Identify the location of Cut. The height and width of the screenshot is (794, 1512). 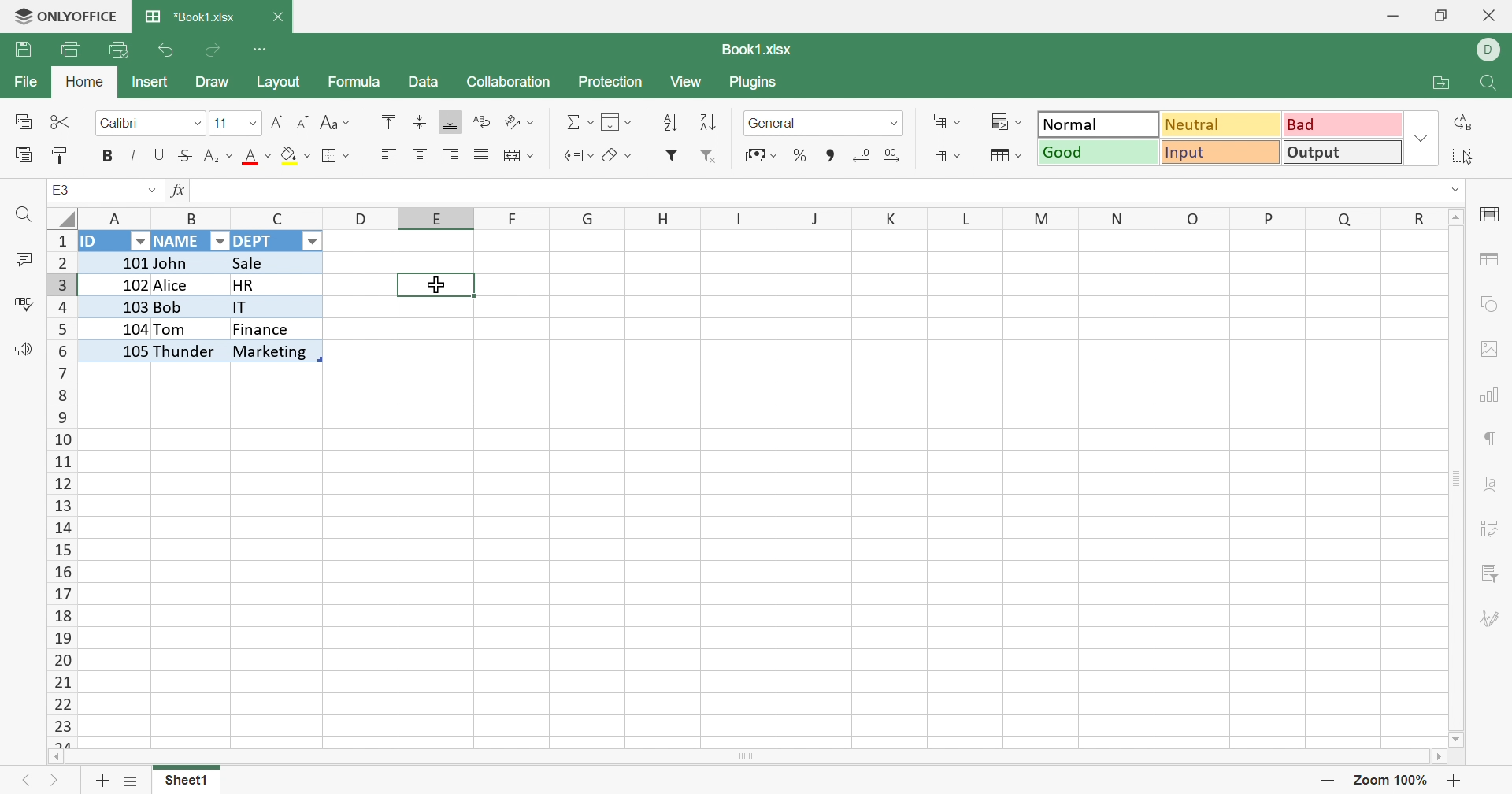
(63, 122).